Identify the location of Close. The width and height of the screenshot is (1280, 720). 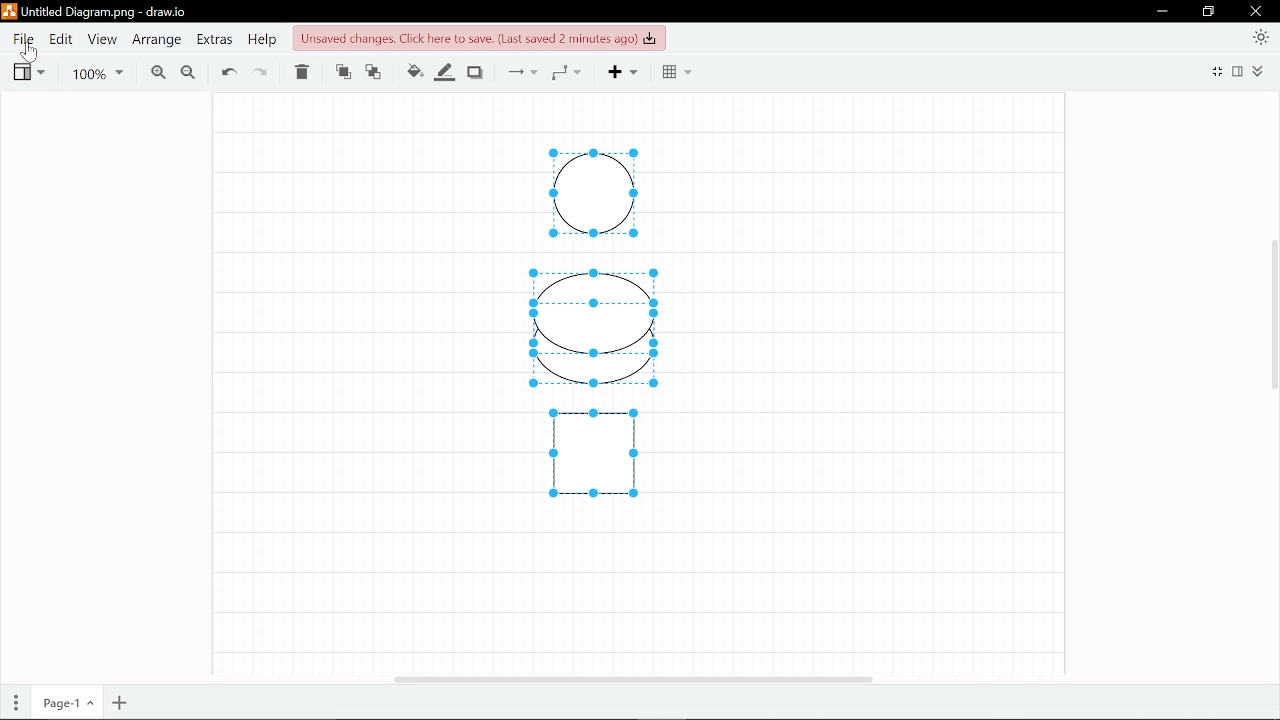
(1257, 12).